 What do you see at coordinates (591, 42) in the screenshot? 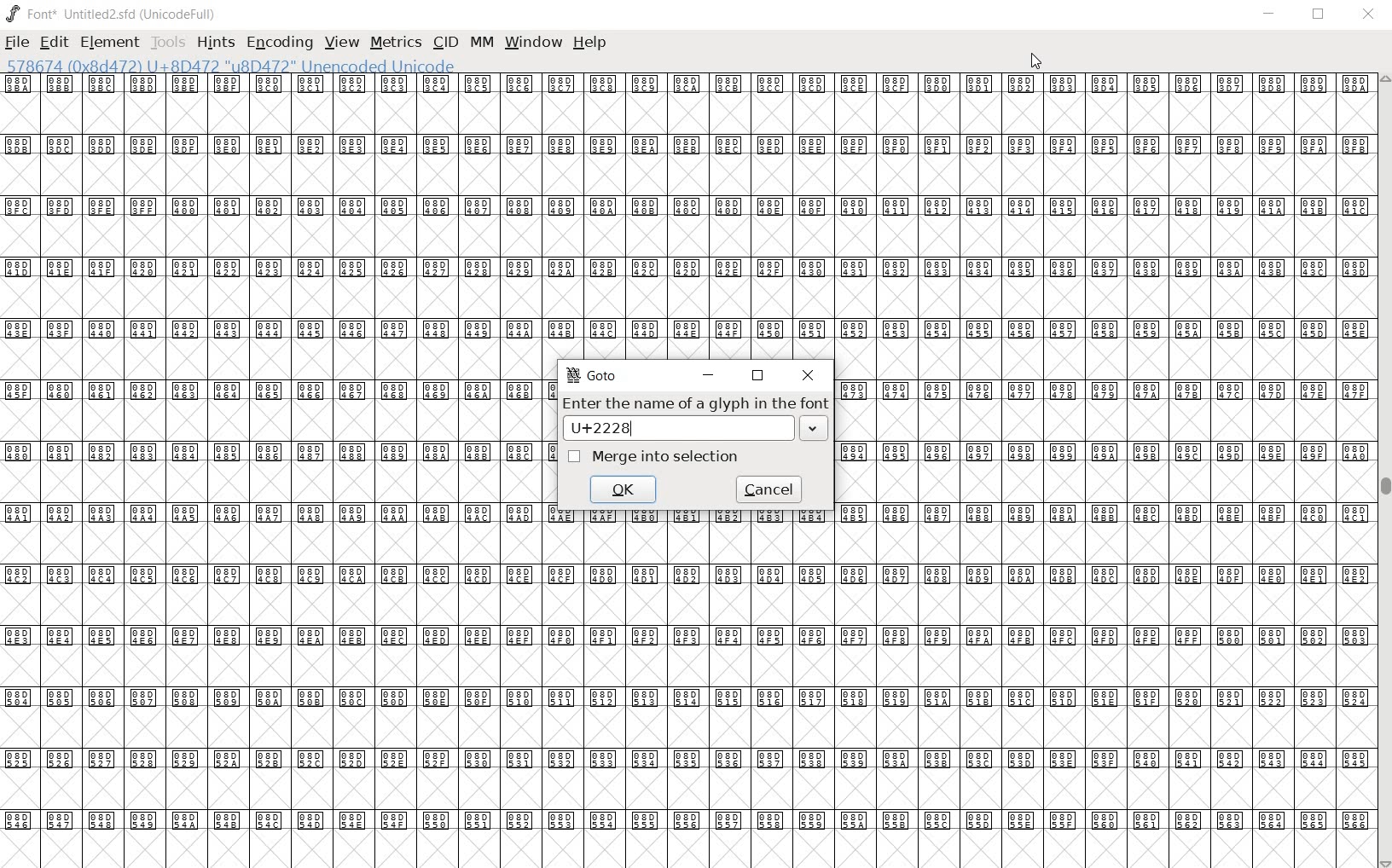
I see `help` at bounding box center [591, 42].